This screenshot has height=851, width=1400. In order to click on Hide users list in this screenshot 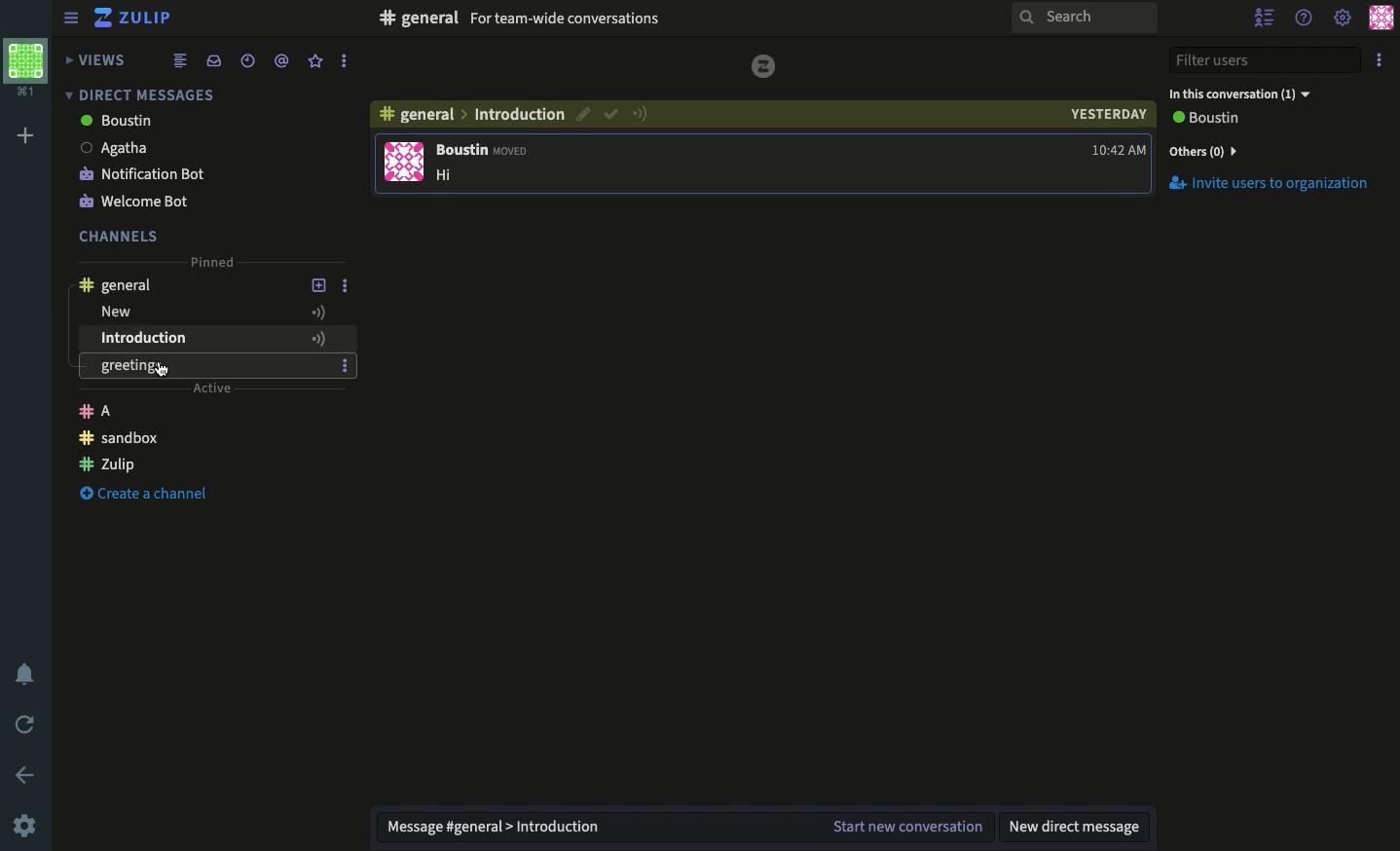, I will do `click(1267, 19)`.